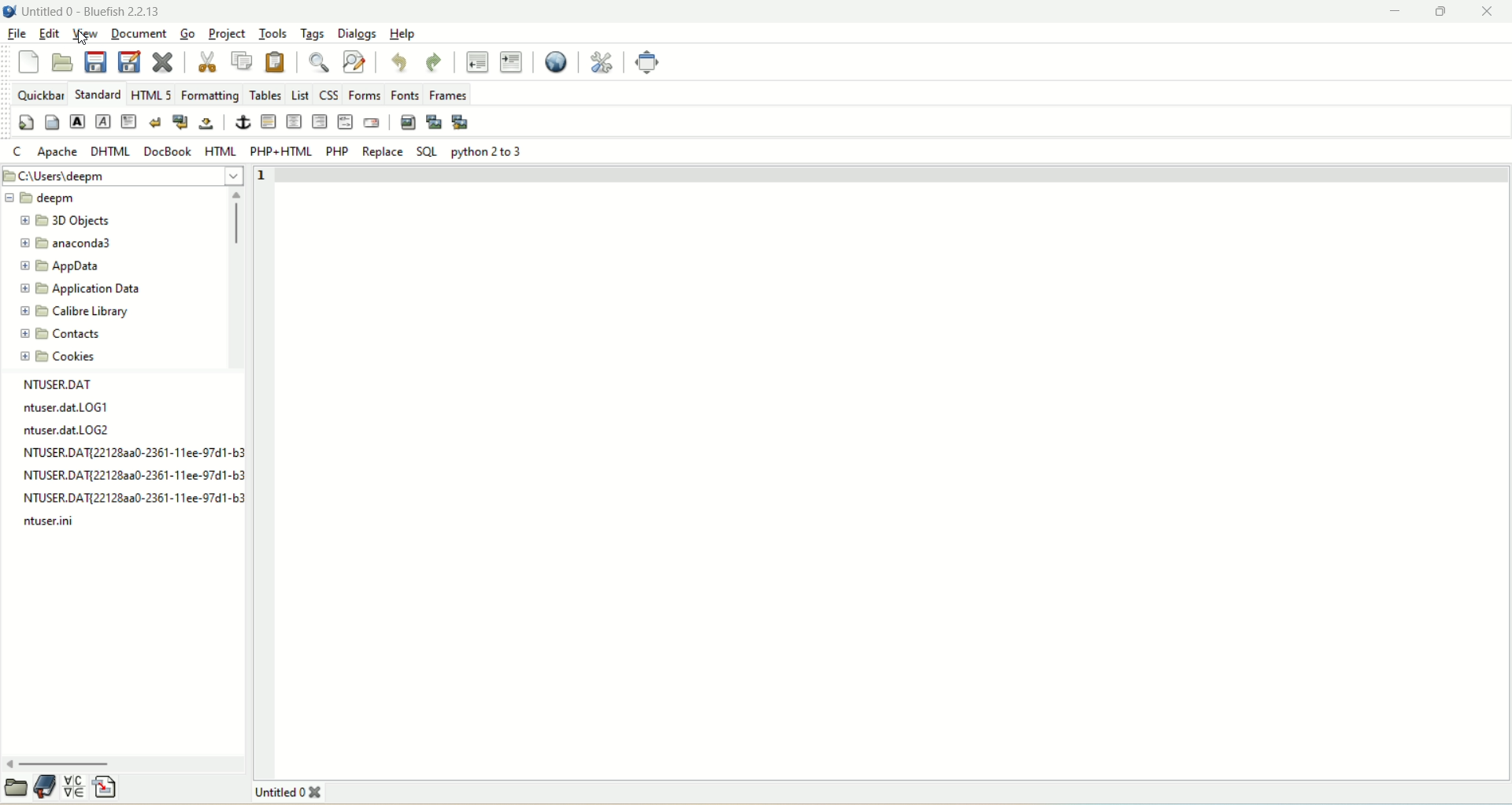 The image size is (1512, 805). Describe the element at coordinates (27, 122) in the screenshot. I see `quickstart` at that location.